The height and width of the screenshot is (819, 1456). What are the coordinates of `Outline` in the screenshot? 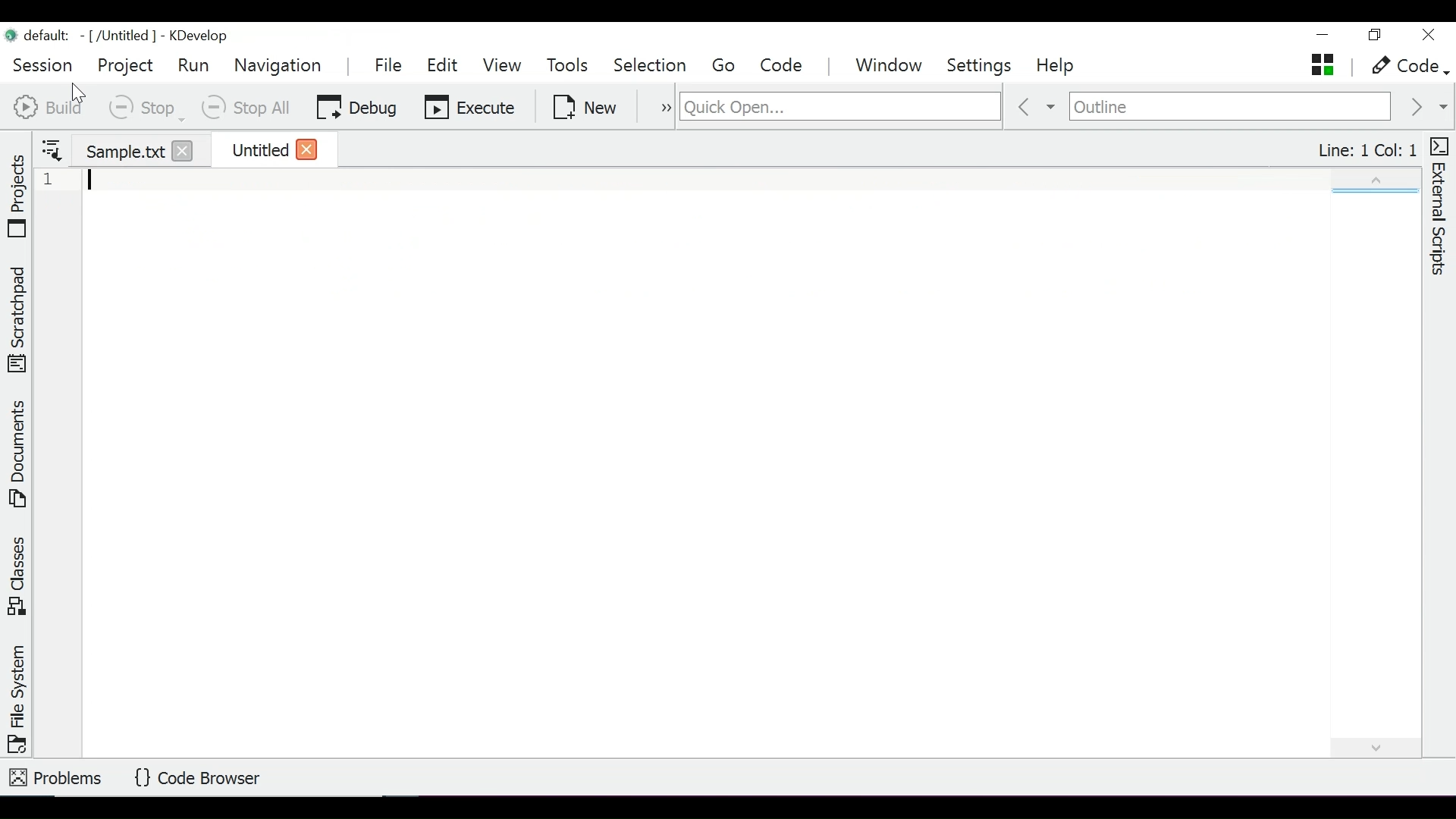 It's located at (1232, 106).